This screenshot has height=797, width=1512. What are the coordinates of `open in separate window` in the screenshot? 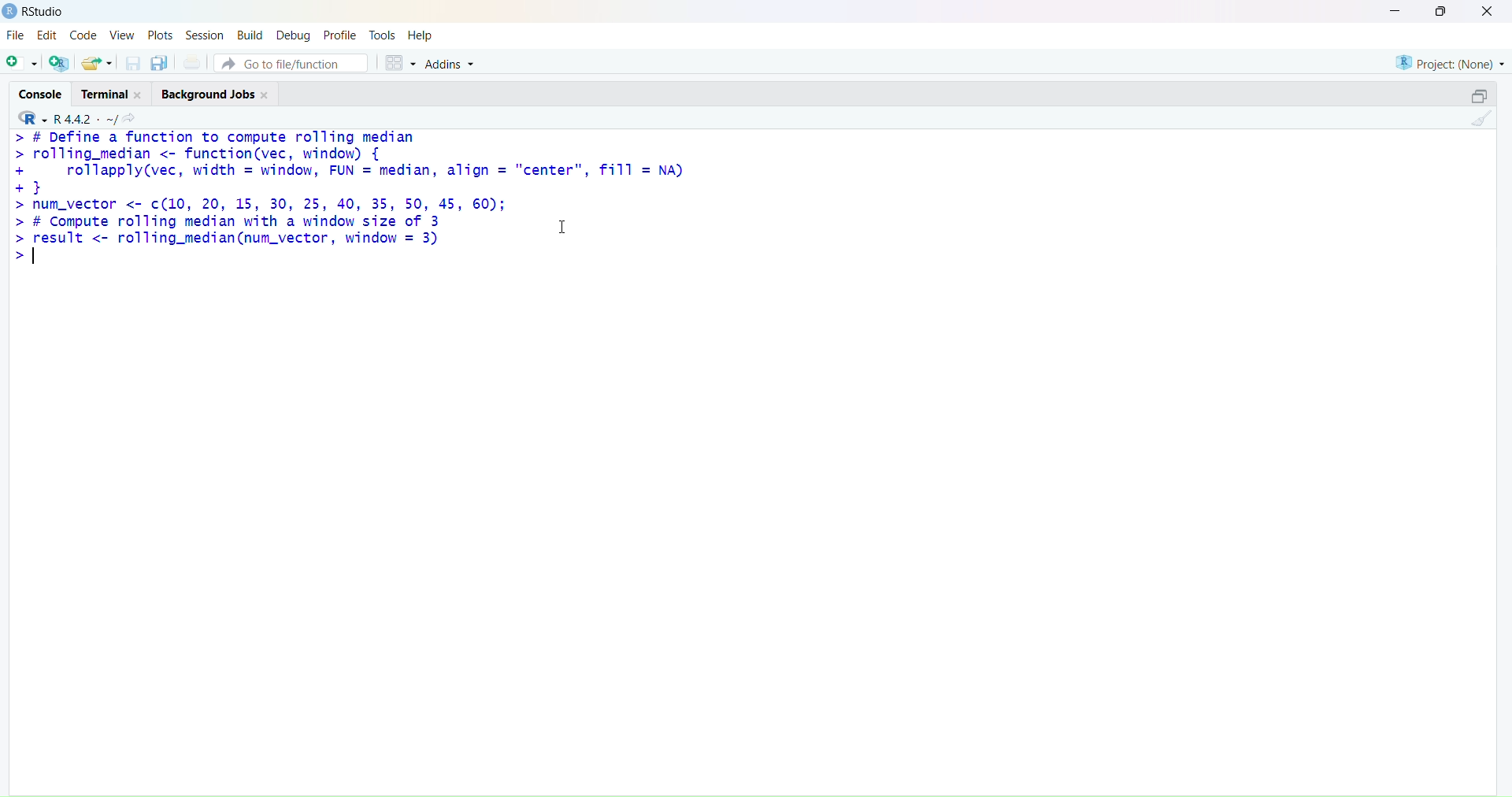 It's located at (1479, 96).